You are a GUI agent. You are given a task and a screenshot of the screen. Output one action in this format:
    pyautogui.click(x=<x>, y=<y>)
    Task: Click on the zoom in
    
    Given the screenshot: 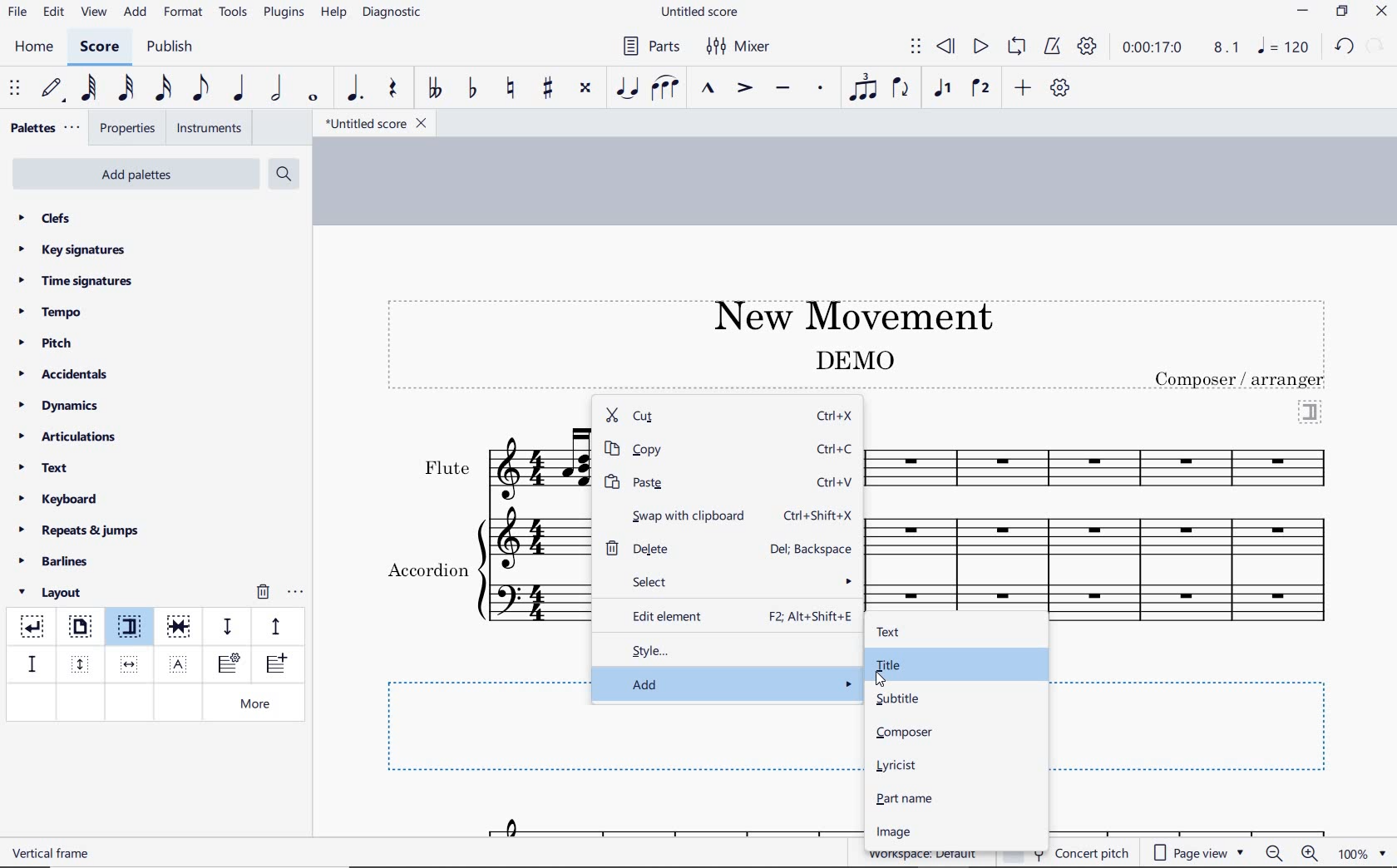 What is the action you would take?
    pyautogui.click(x=1313, y=855)
    